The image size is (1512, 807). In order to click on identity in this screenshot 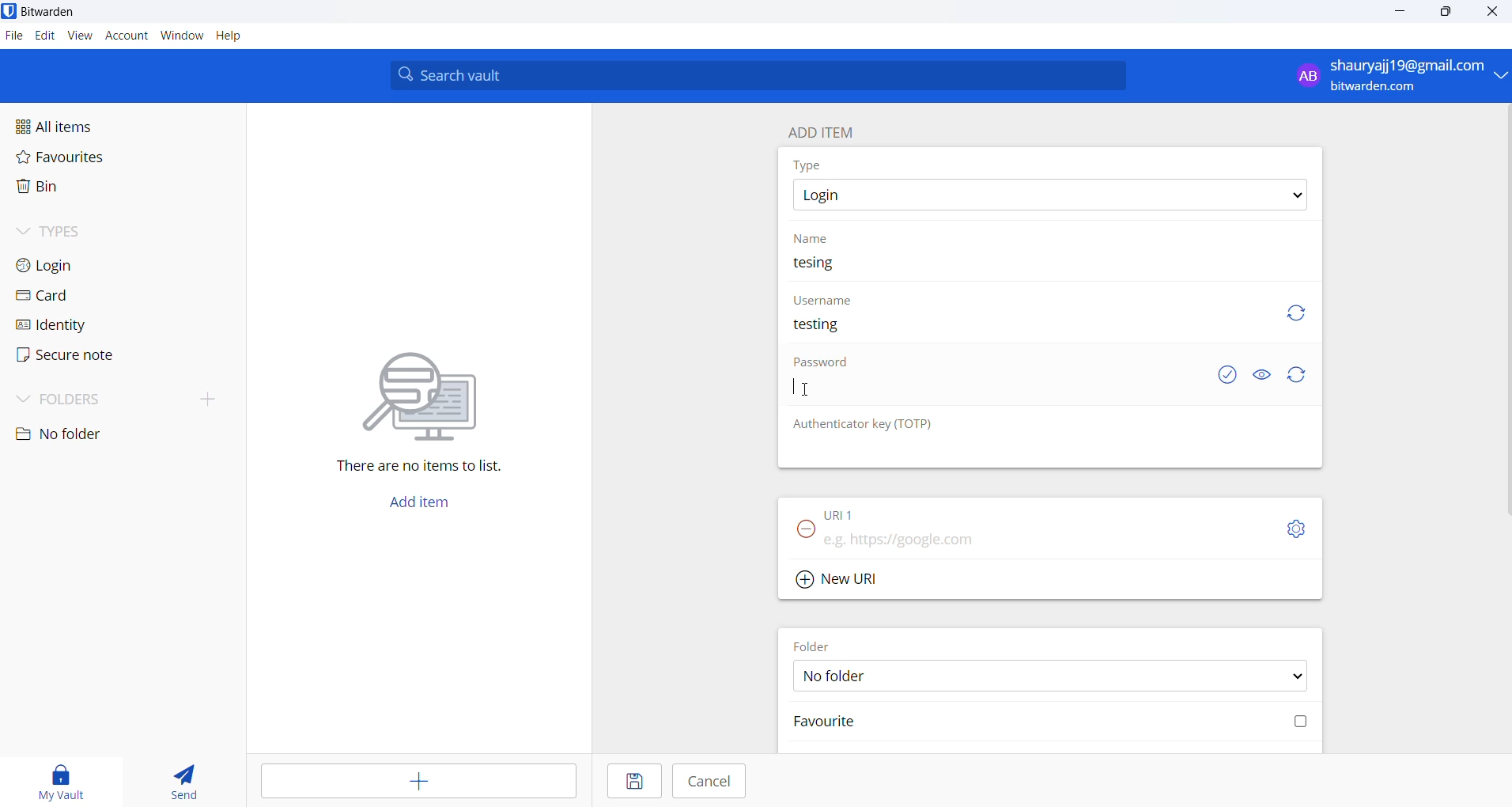, I will do `click(89, 325)`.